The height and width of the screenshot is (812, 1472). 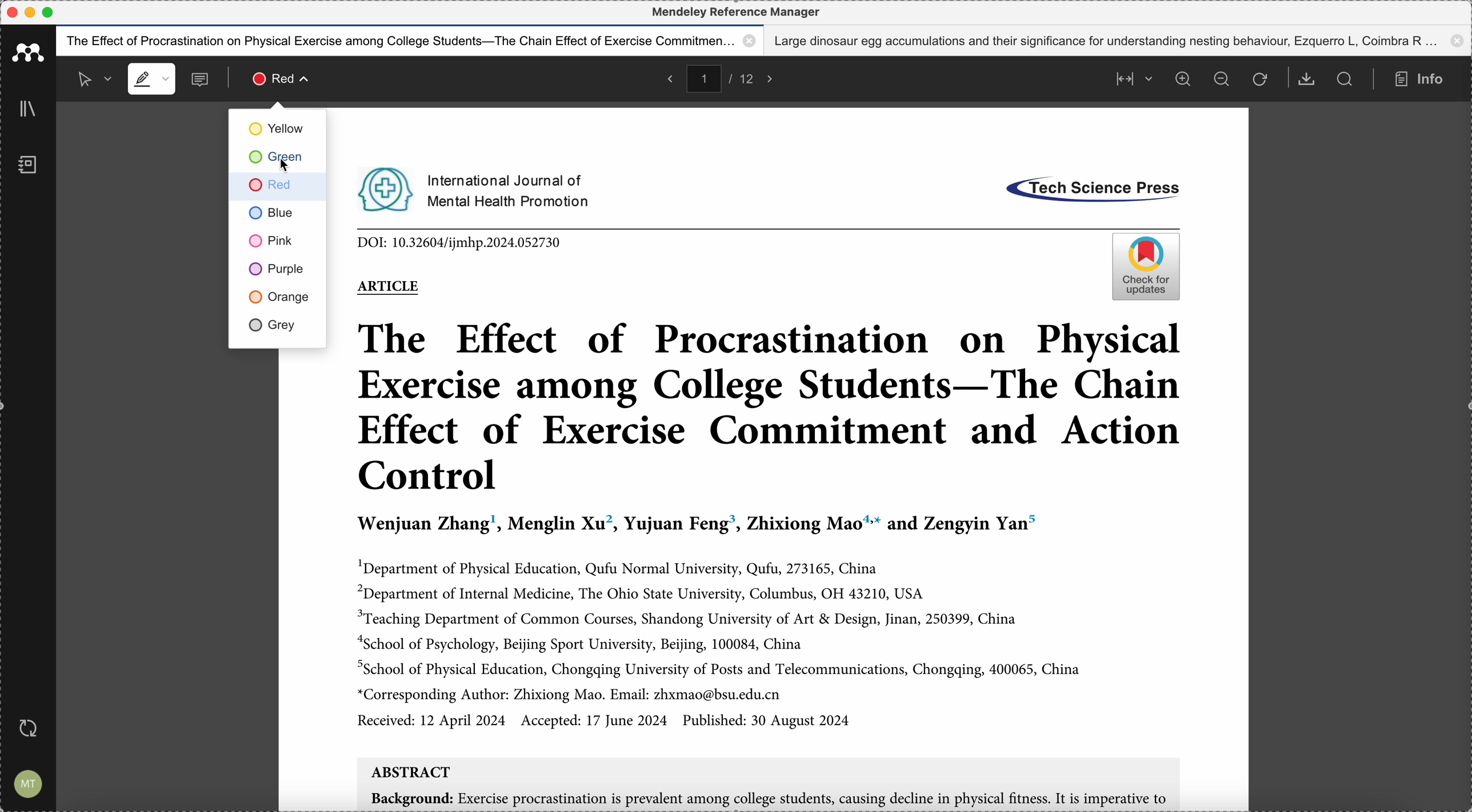 What do you see at coordinates (275, 186) in the screenshot?
I see `red` at bounding box center [275, 186].